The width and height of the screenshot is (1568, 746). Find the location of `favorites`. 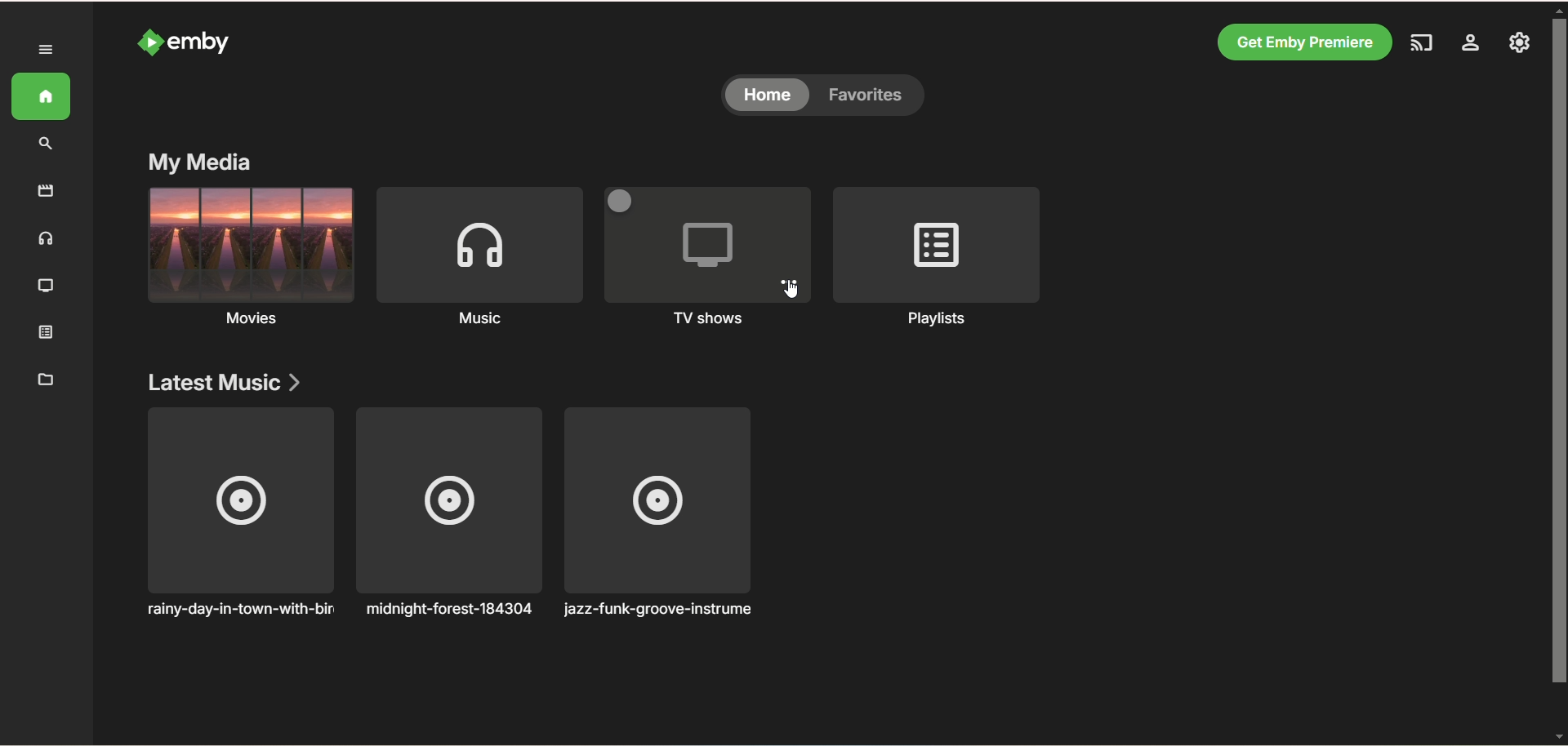

favorites is located at coordinates (871, 96).